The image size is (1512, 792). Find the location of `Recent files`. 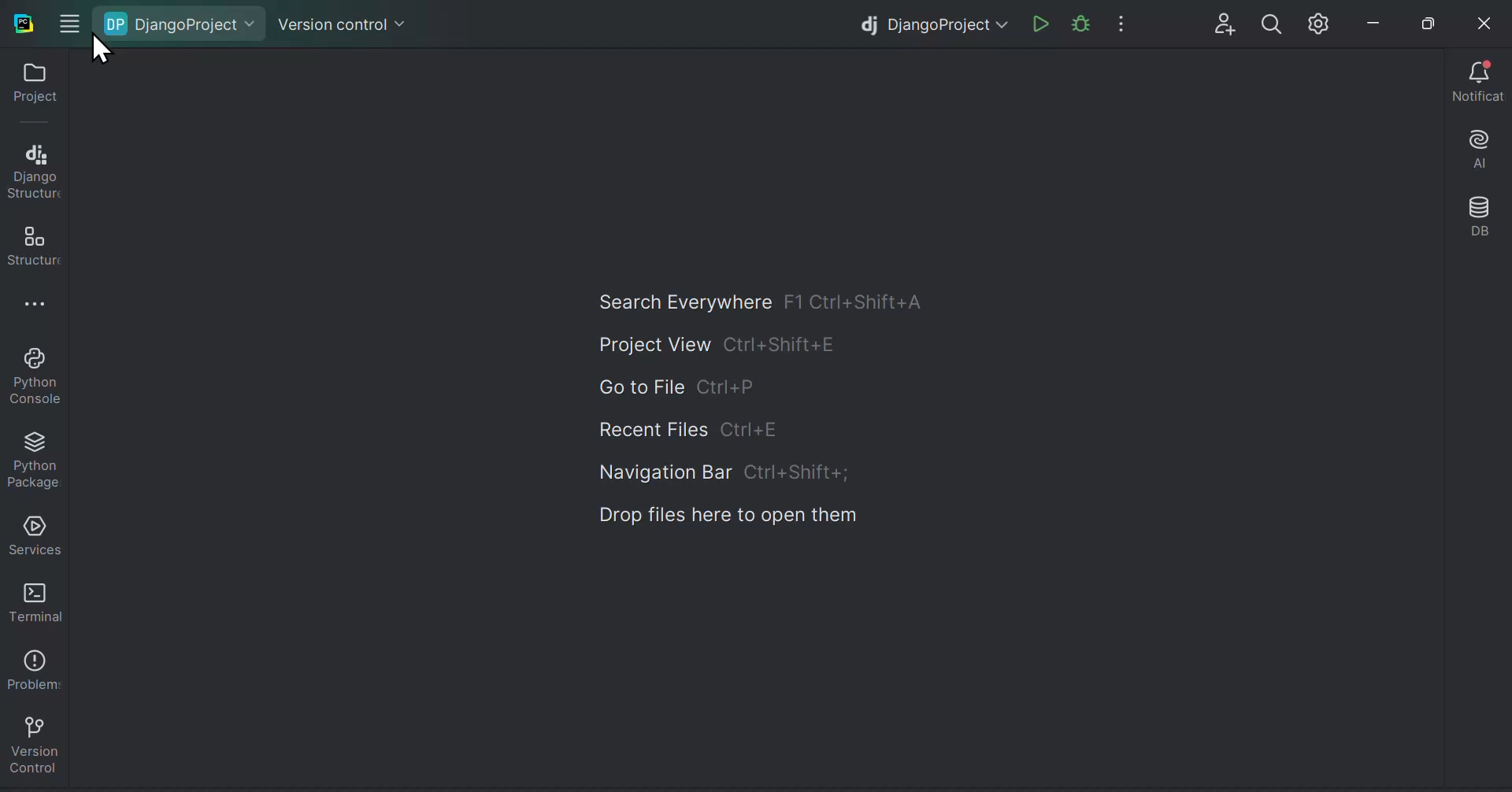

Recent files is located at coordinates (695, 429).